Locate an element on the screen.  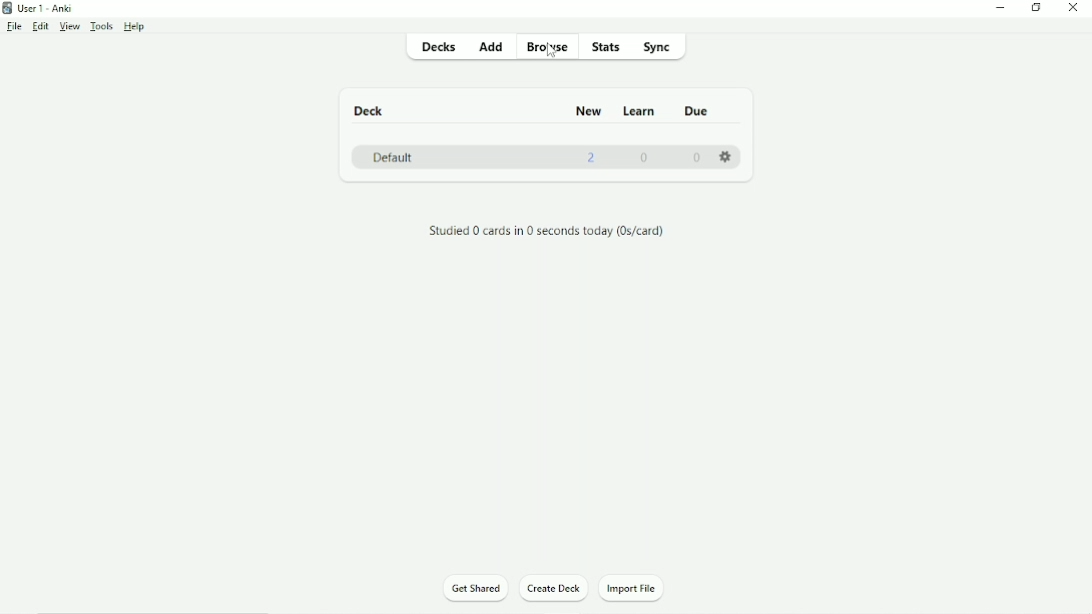
New is located at coordinates (588, 112).